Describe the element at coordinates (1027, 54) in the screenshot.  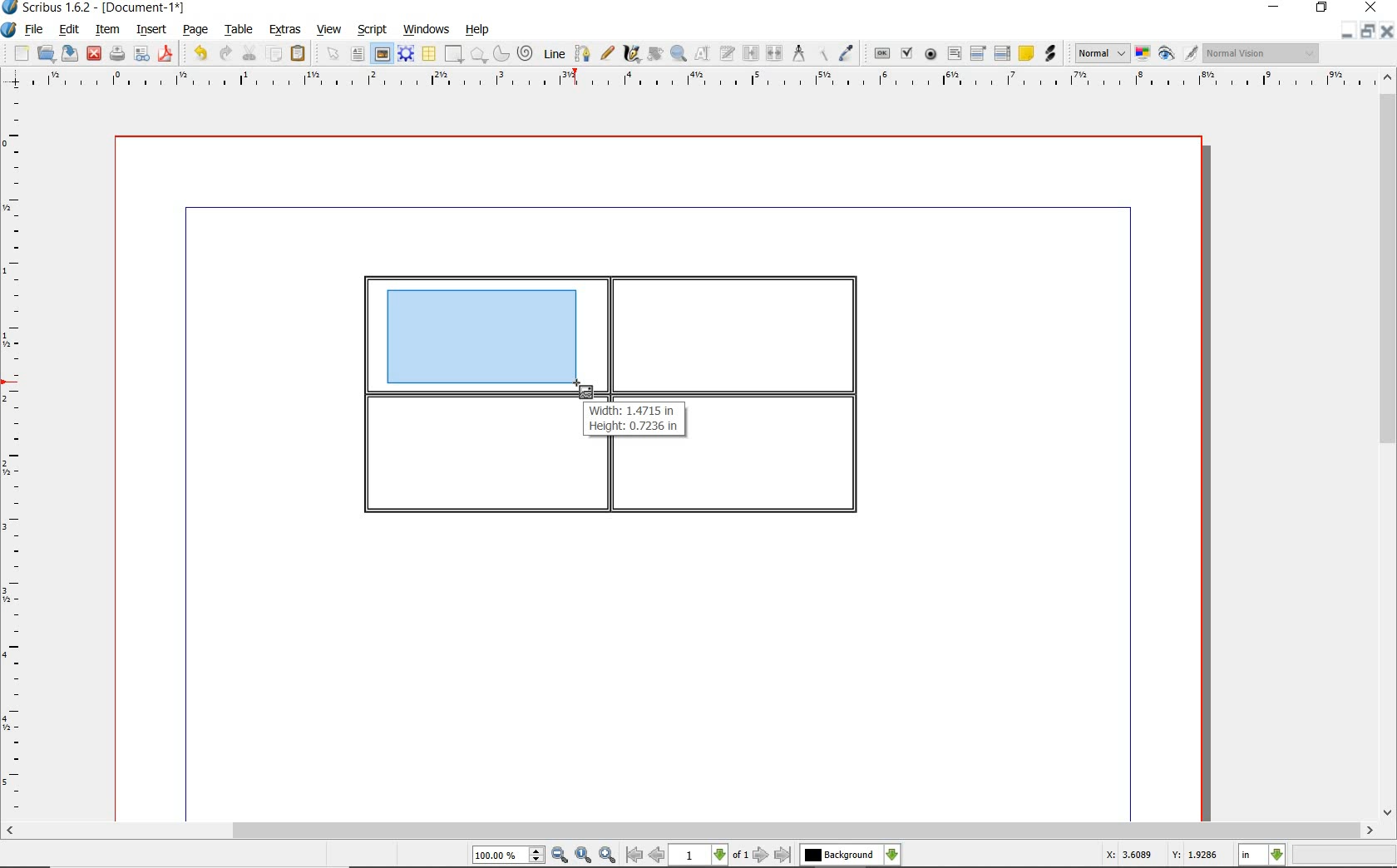
I see `text annotation` at that location.